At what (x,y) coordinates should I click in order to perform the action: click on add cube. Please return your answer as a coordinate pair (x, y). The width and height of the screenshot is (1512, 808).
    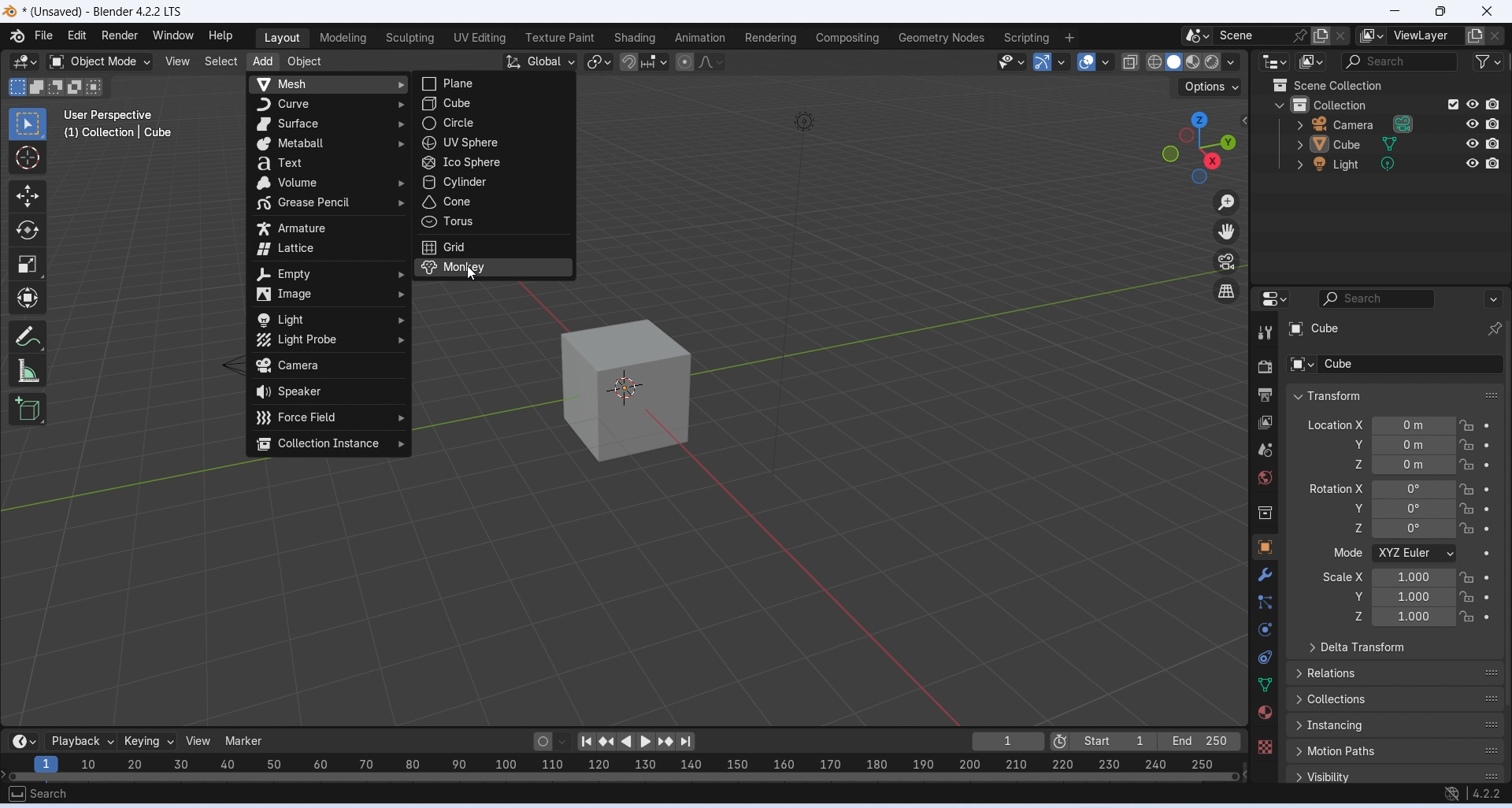
    Looking at the image, I should click on (28, 409).